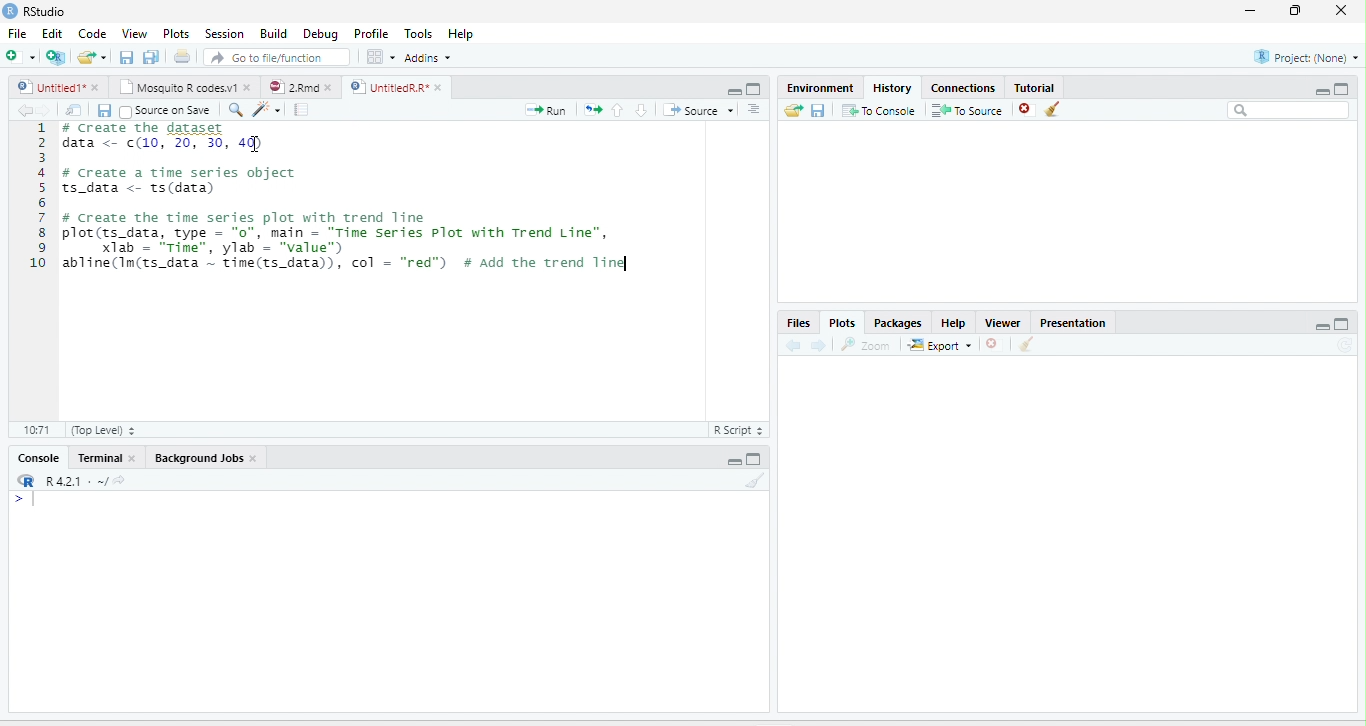 The image size is (1366, 726). Describe the element at coordinates (51, 33) in the screenshot. I see `Edit` at that location.